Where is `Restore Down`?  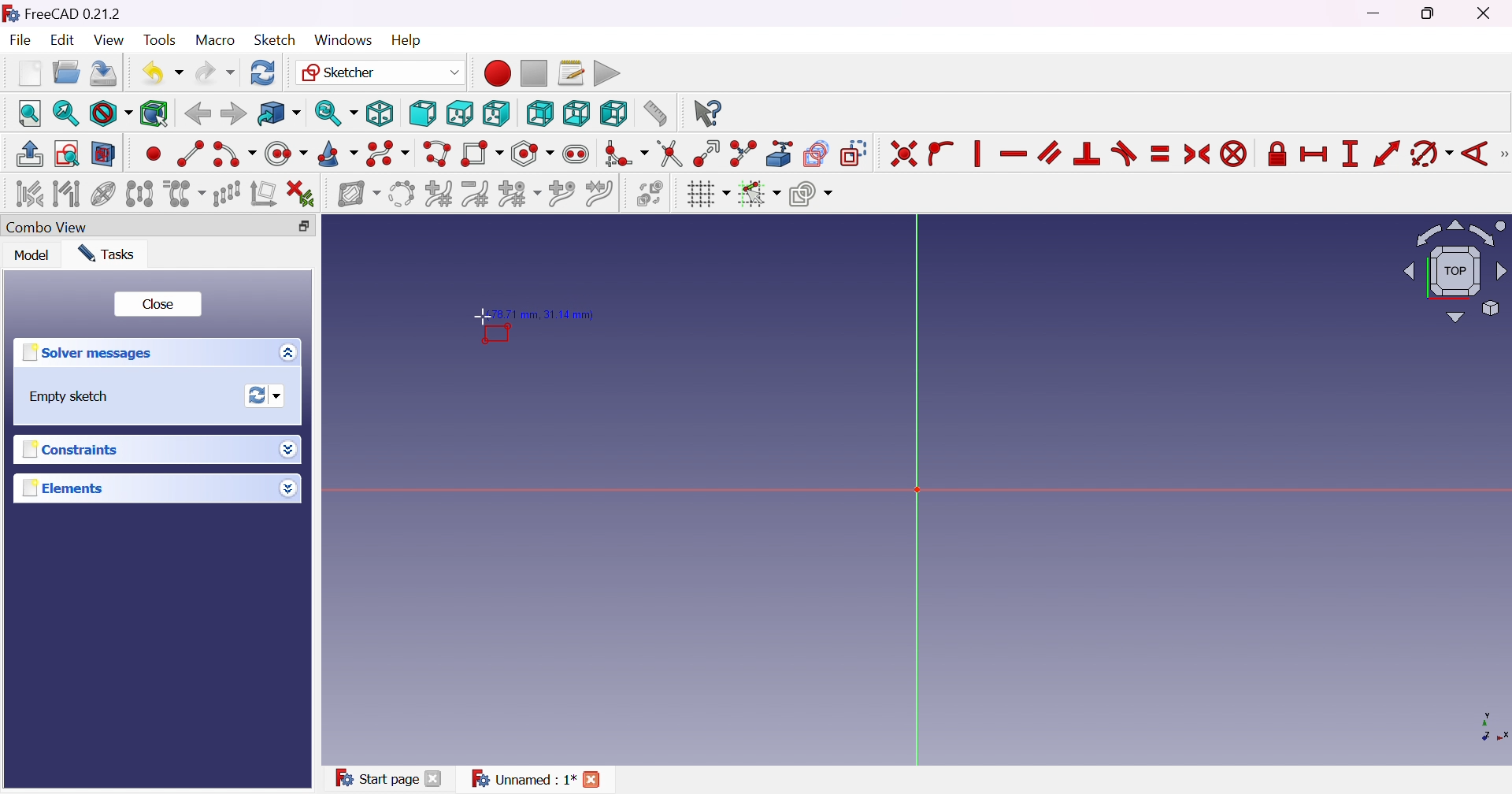
Restore Down is located at coordinates (1430, 15).